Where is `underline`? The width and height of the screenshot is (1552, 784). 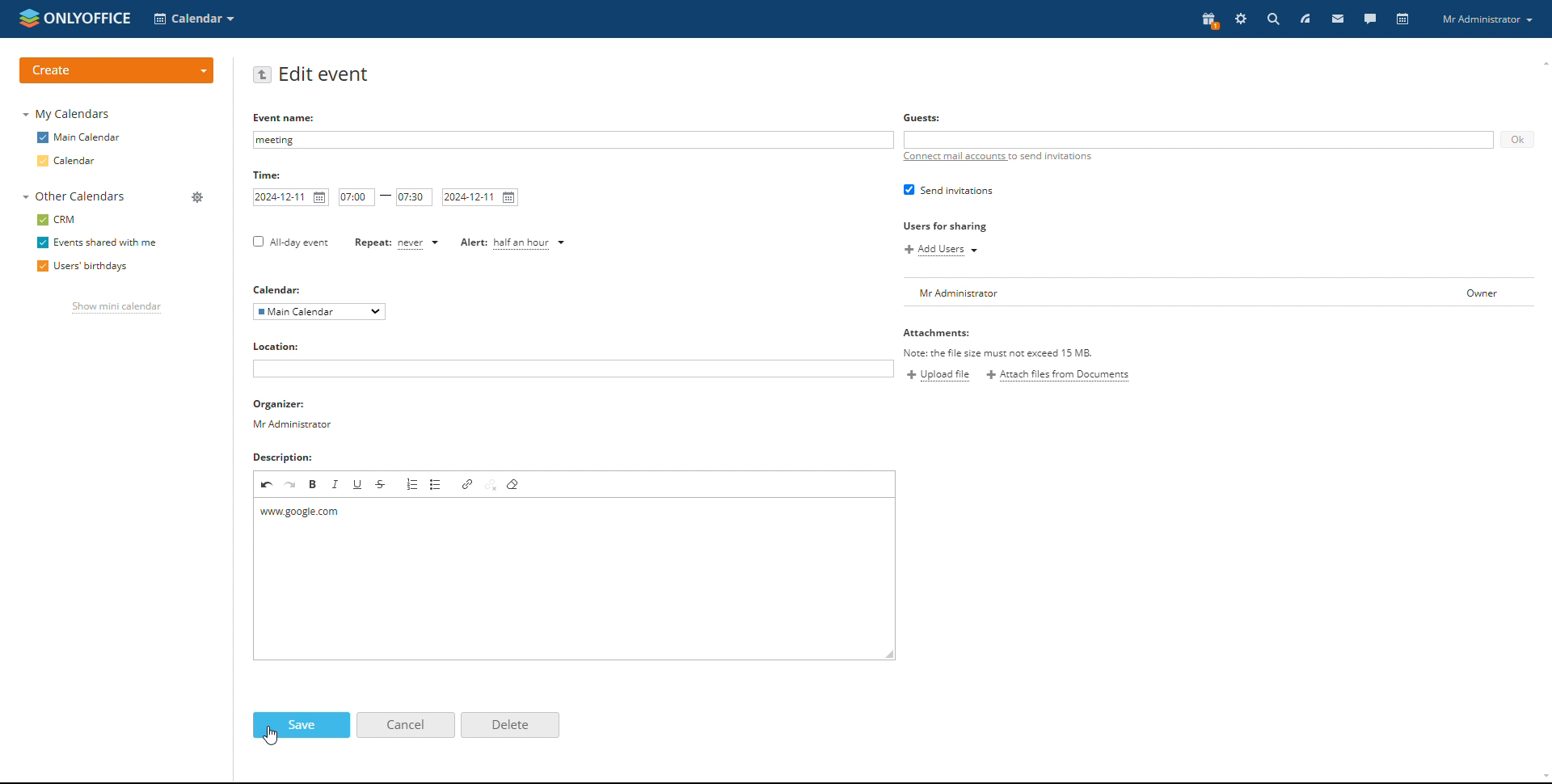 underline is located at coordinates (359, 484).